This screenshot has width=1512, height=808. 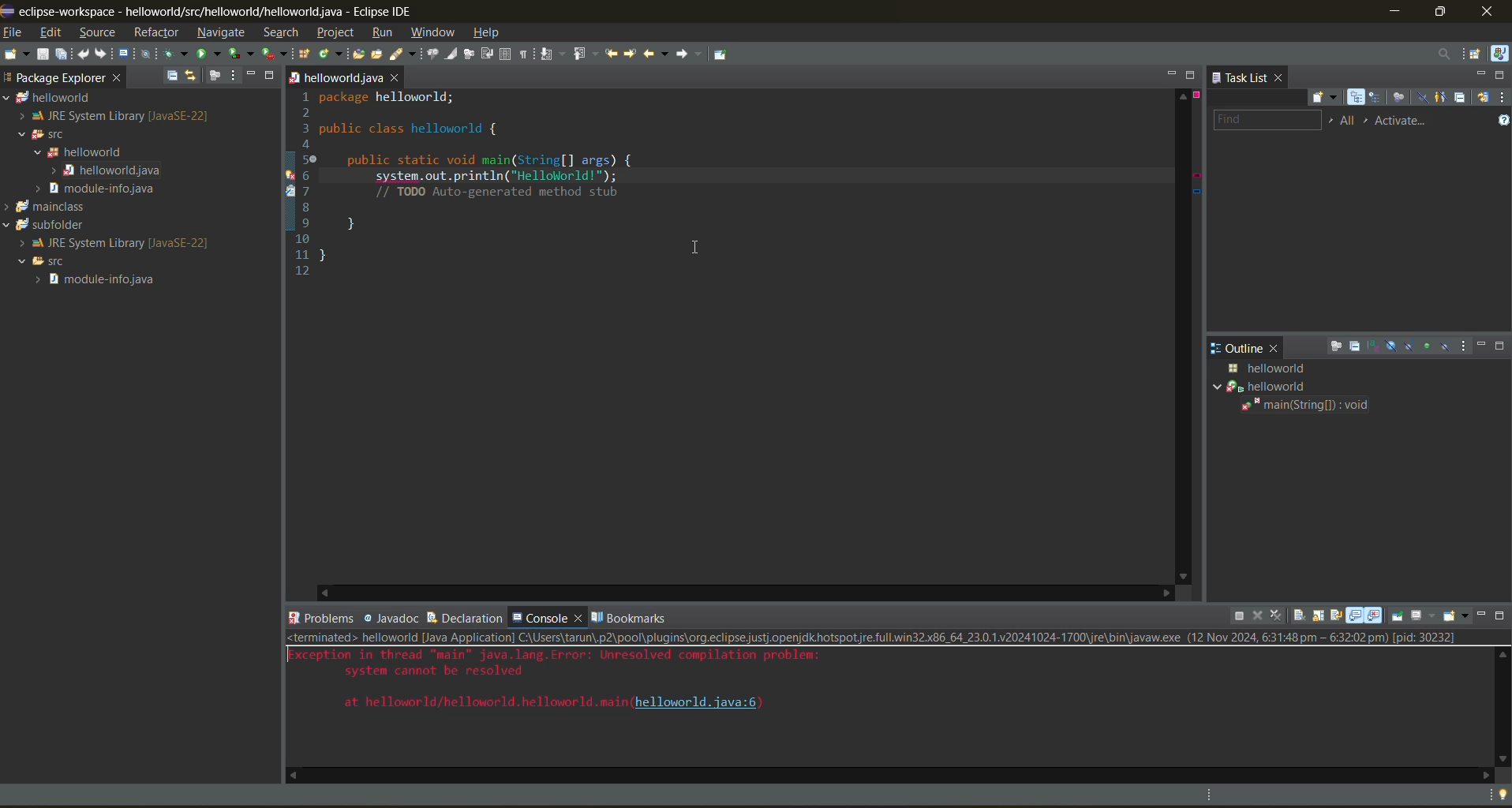 What do you see at coordinates (1276, 616) in the screenshot?
I see `remove all terminated launches` at bounding box center [1276, 616].